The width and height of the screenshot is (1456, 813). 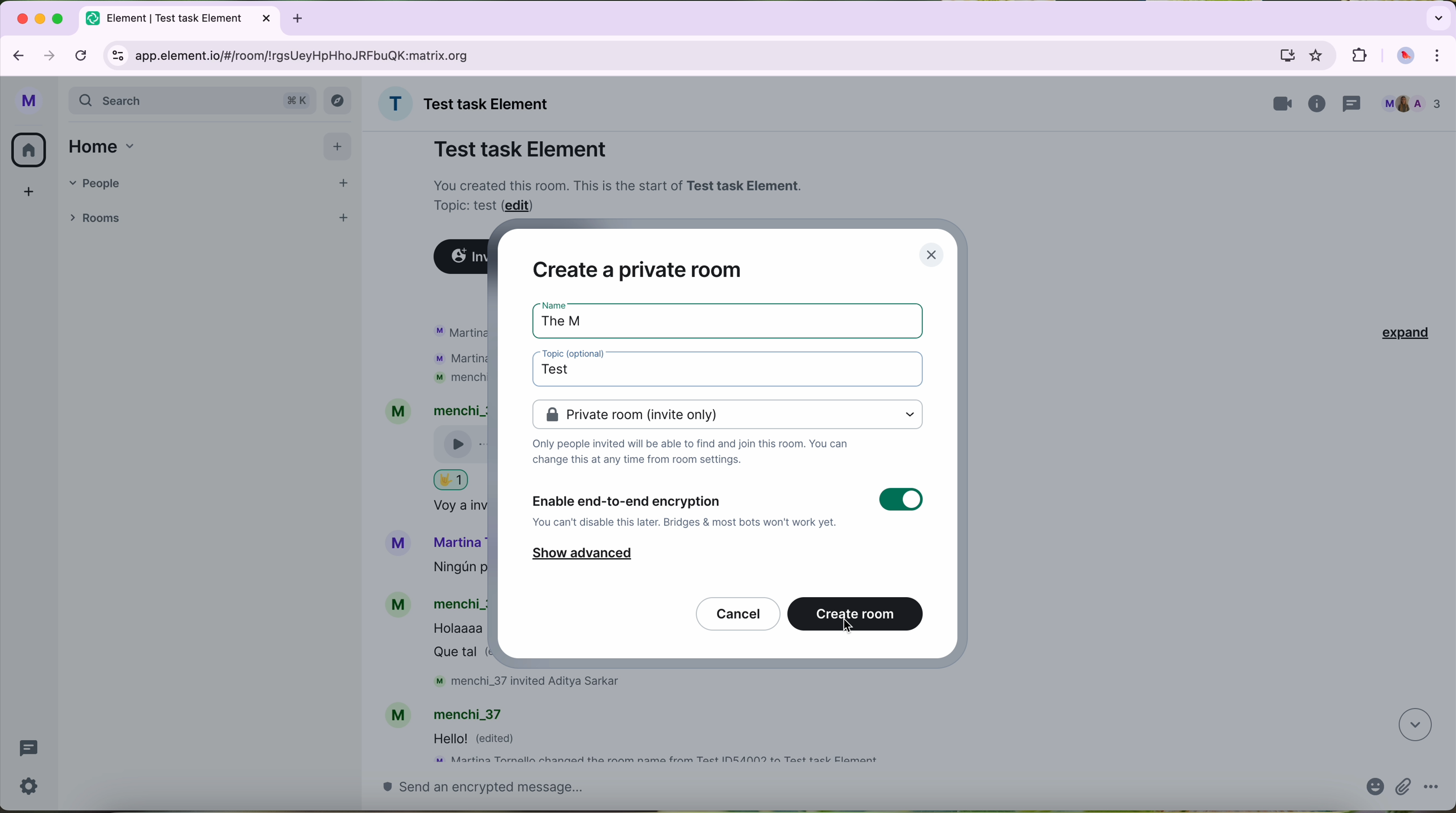 I want to click on more options, so click(x=1432, y=789).